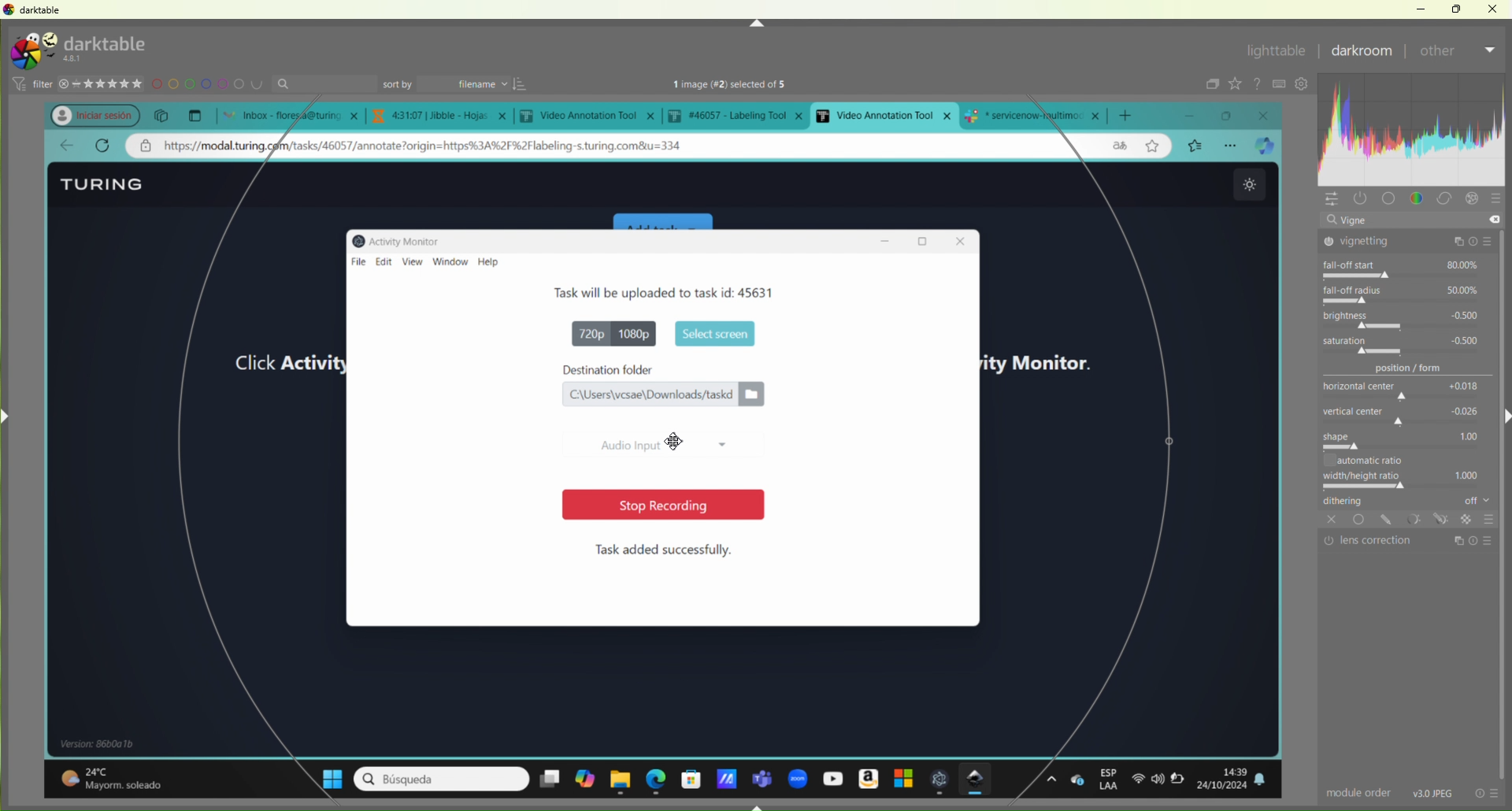  What do you see at coordinates (1075, 780) in the screenshot?
I see `one drive` at bounding box center [1075, 780].